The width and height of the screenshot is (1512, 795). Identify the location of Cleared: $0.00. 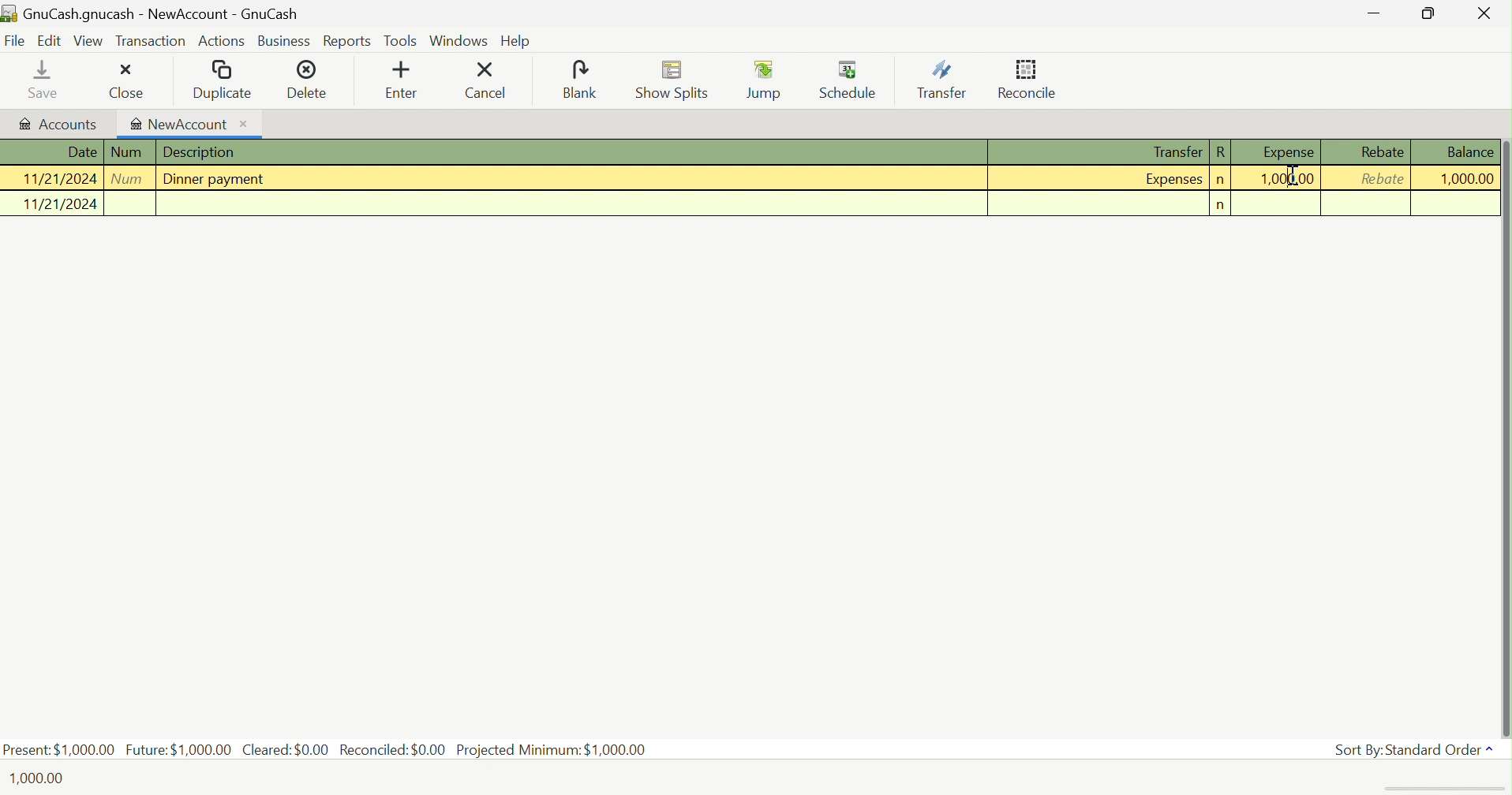
(286, 750).